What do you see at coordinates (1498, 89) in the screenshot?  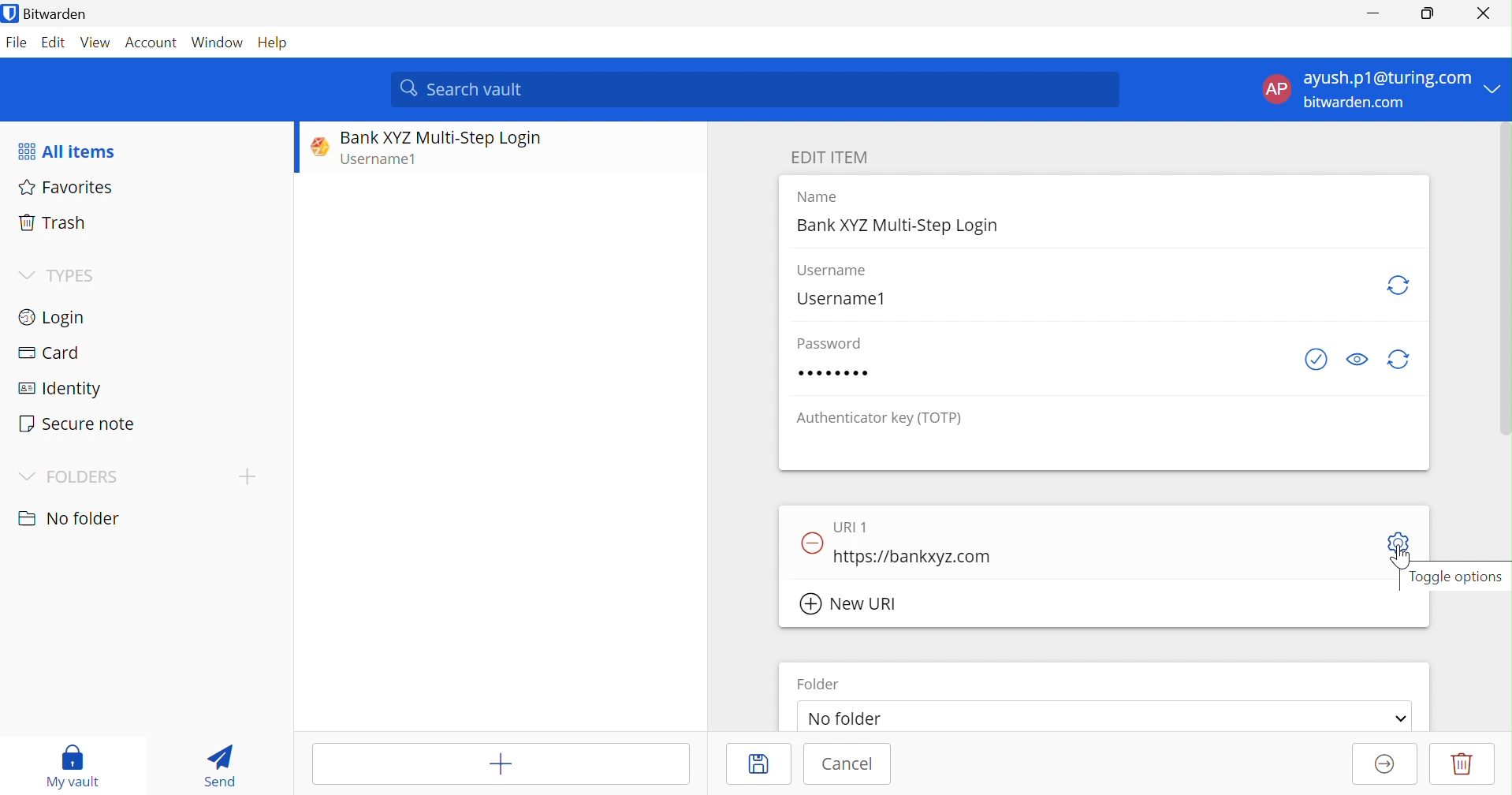 I see `Drop Down` at bounding box center [1498, 89].